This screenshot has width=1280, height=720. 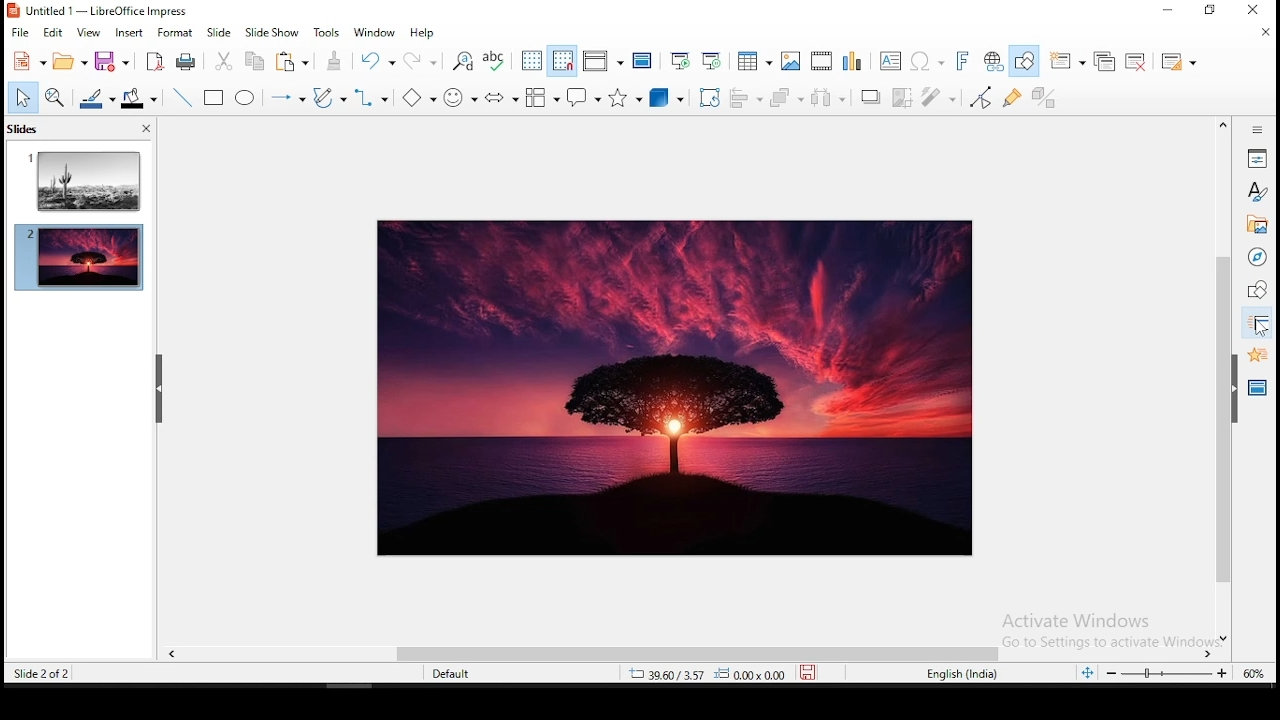 What do you see at coordinates (1258, 226) in the screenshot?
I see `gallery` at bounding box center [1258, 226].